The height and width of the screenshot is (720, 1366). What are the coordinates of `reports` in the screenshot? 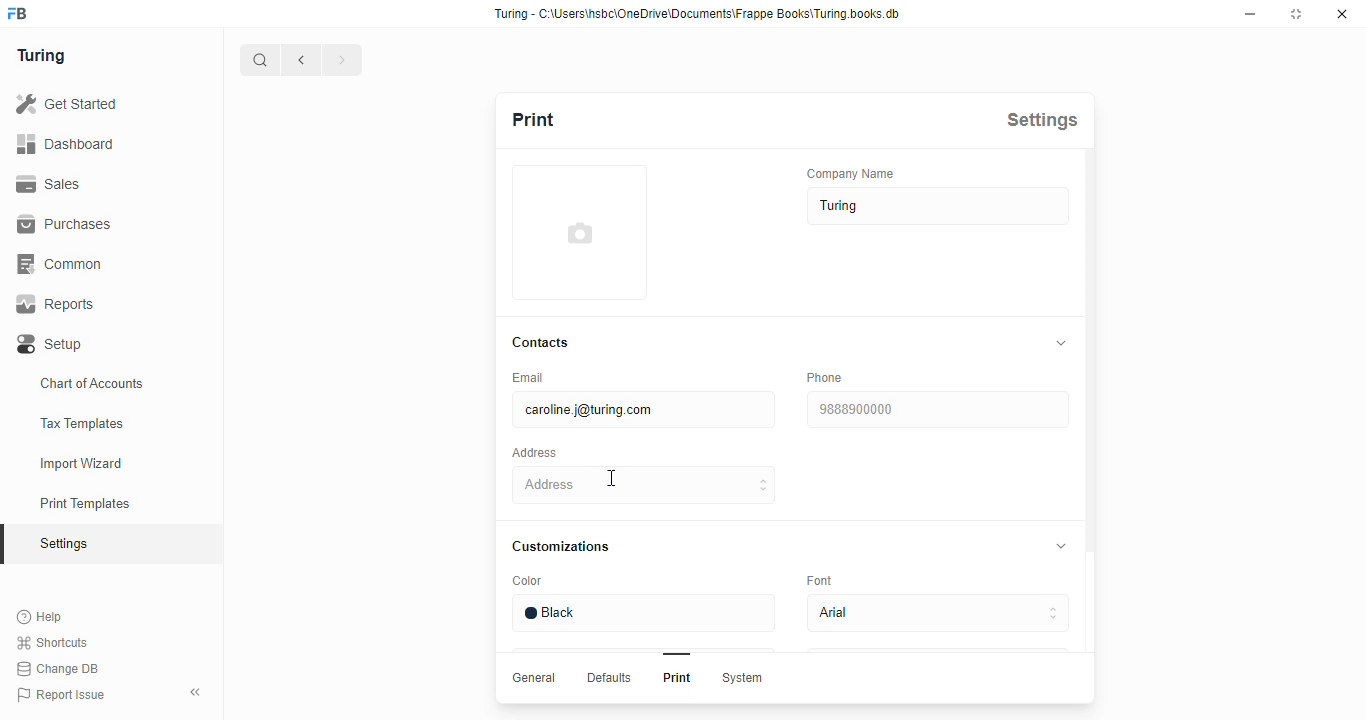 It's located at (56, 304).